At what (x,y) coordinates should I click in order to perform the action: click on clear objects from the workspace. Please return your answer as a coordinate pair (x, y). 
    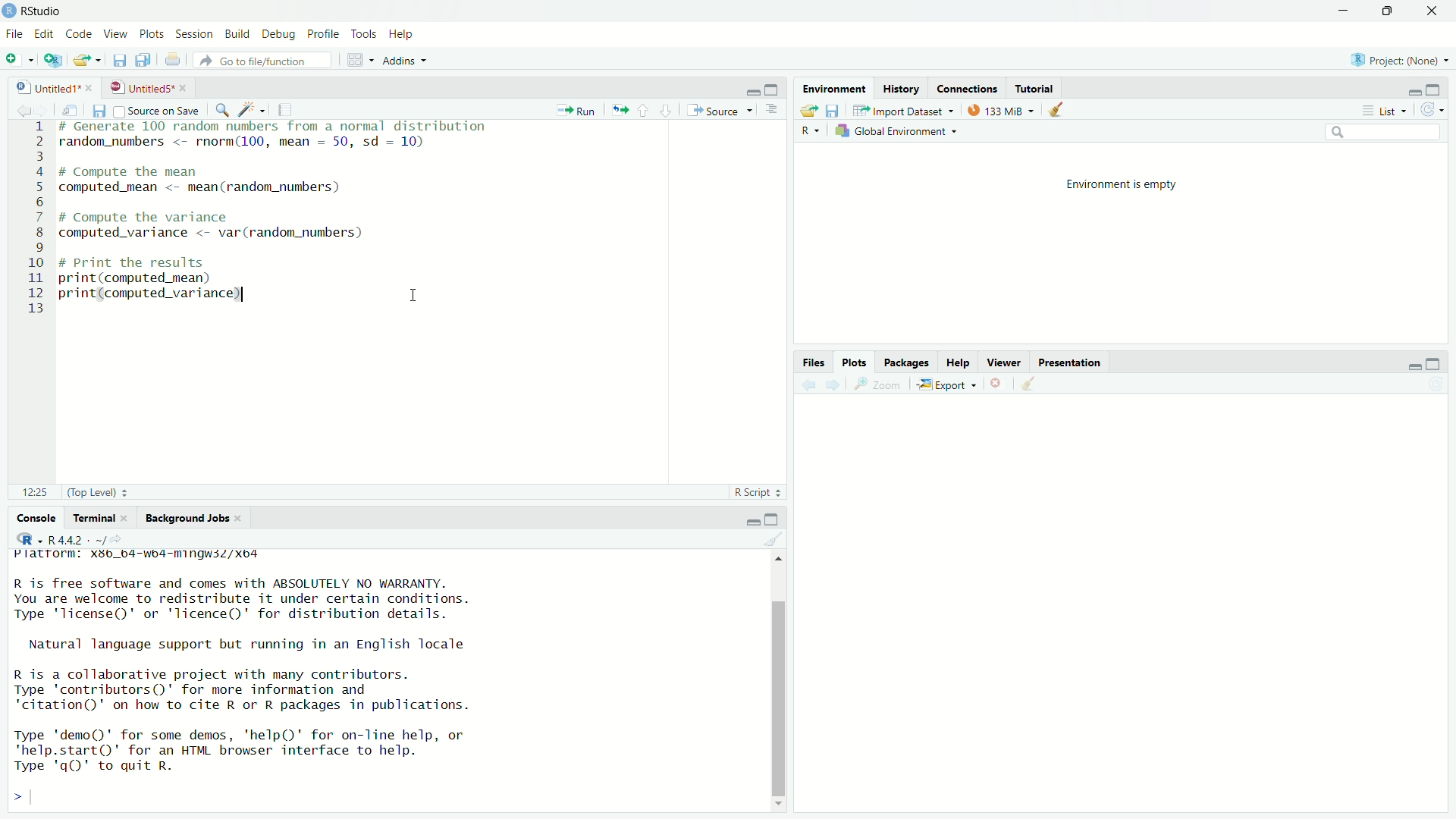
    Looking at the image, I should click on (1062, 111).